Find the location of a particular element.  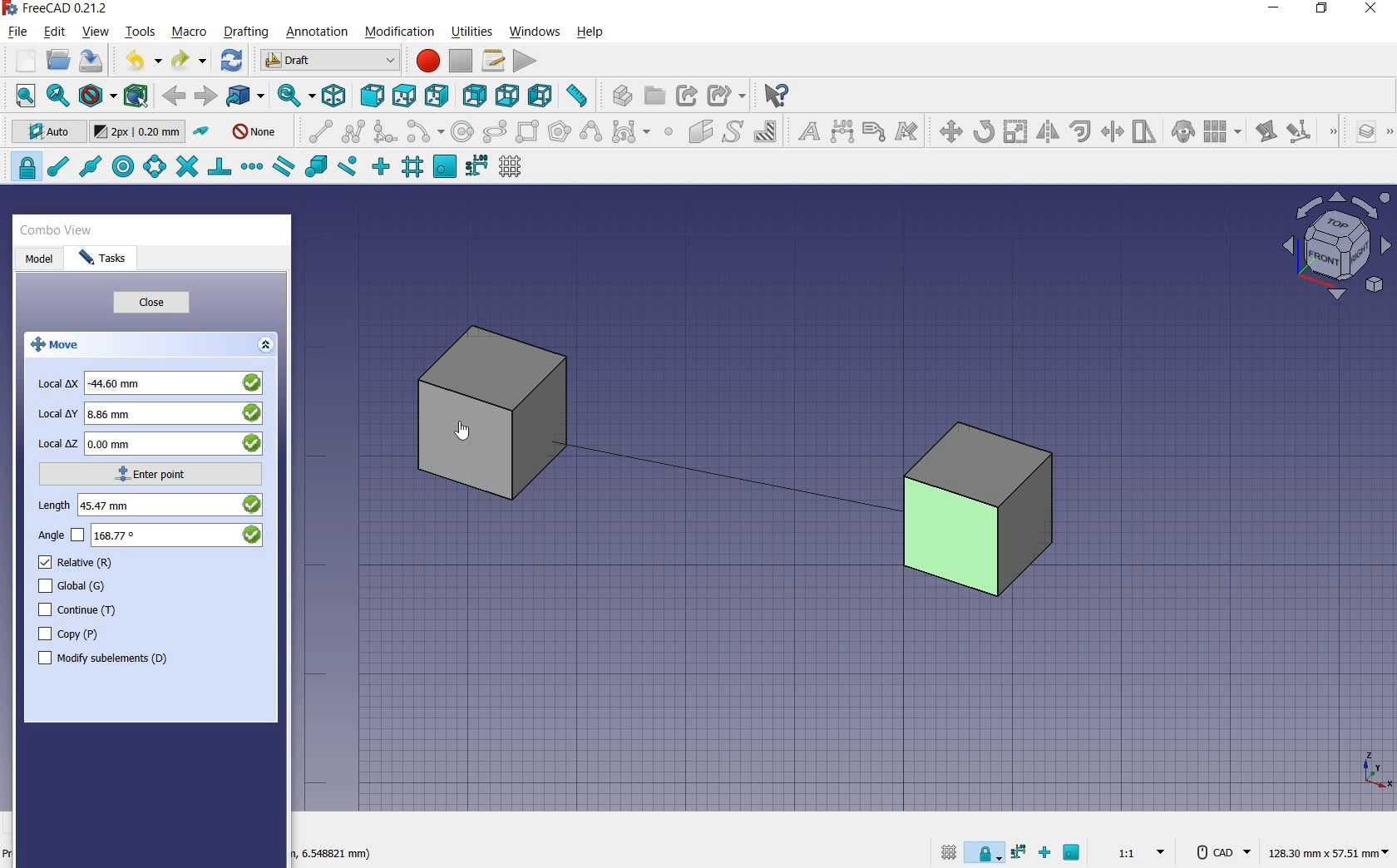

set scale is located at coordinates (1140, 852).